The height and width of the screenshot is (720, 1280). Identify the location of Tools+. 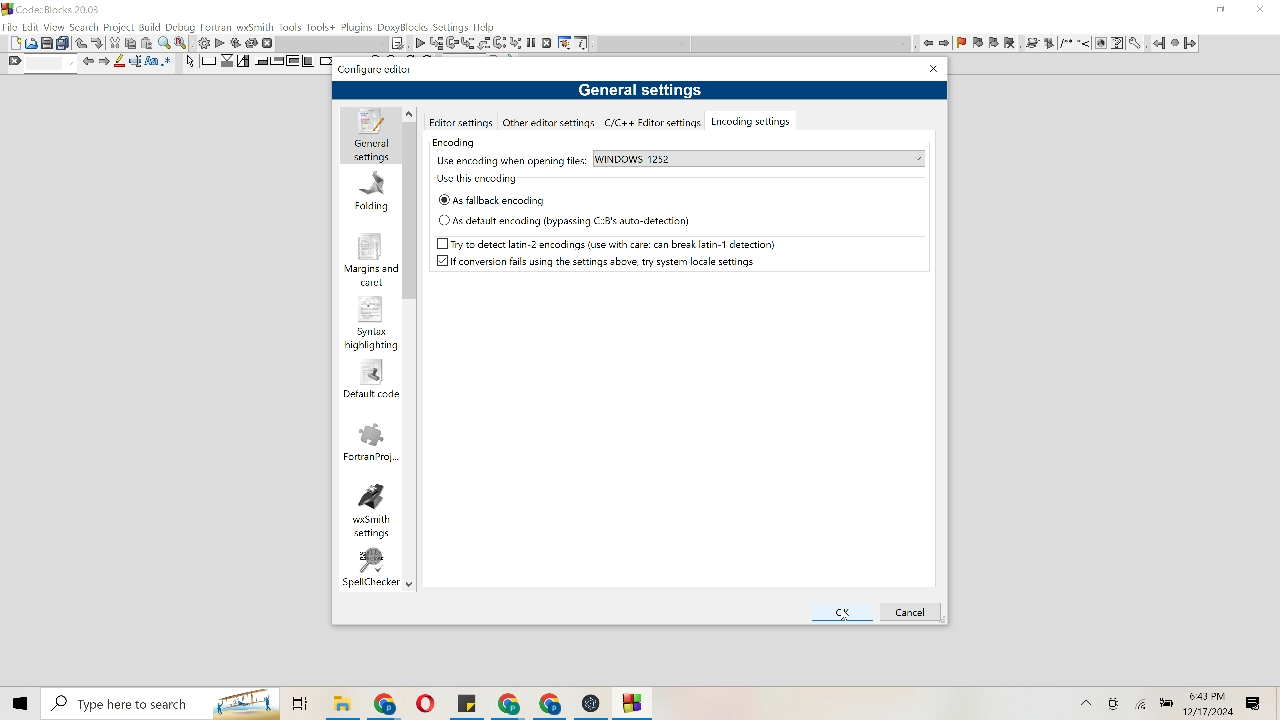
(321, 28).